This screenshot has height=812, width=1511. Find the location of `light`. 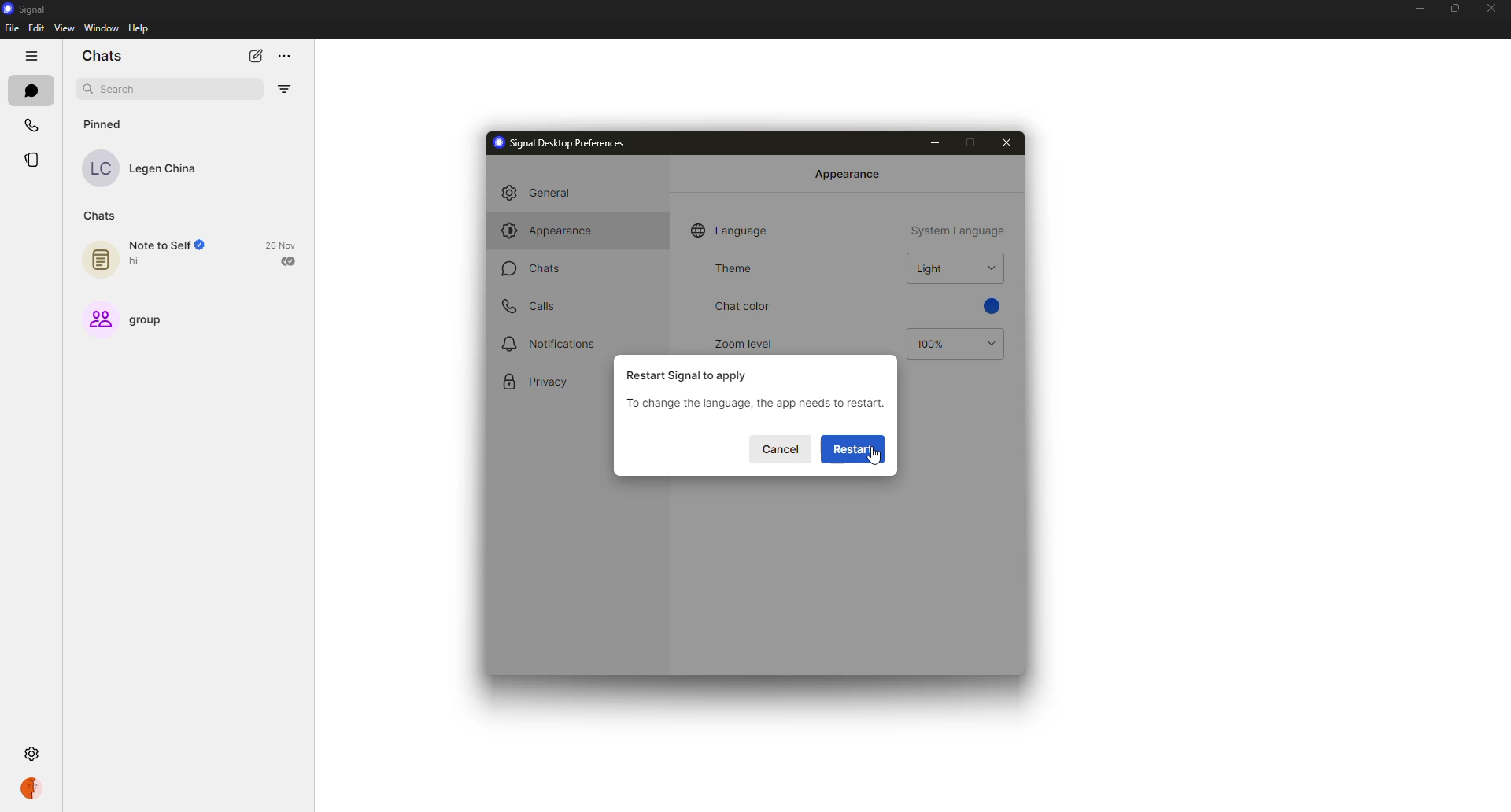

light is located at coordinates (930, 268).